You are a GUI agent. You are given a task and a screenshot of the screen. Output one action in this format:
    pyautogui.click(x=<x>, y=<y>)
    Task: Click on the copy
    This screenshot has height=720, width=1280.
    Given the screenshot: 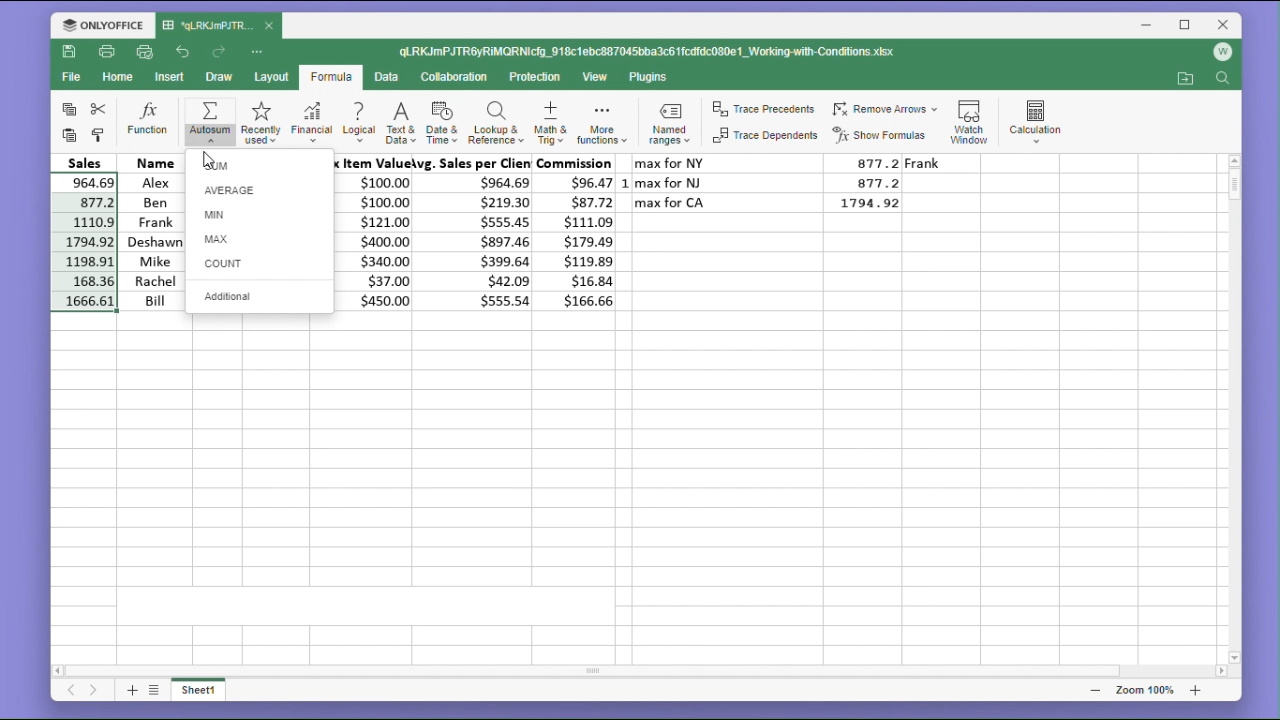 What is the action you would take?
    pyautogui.click(x=66, y=110)
    